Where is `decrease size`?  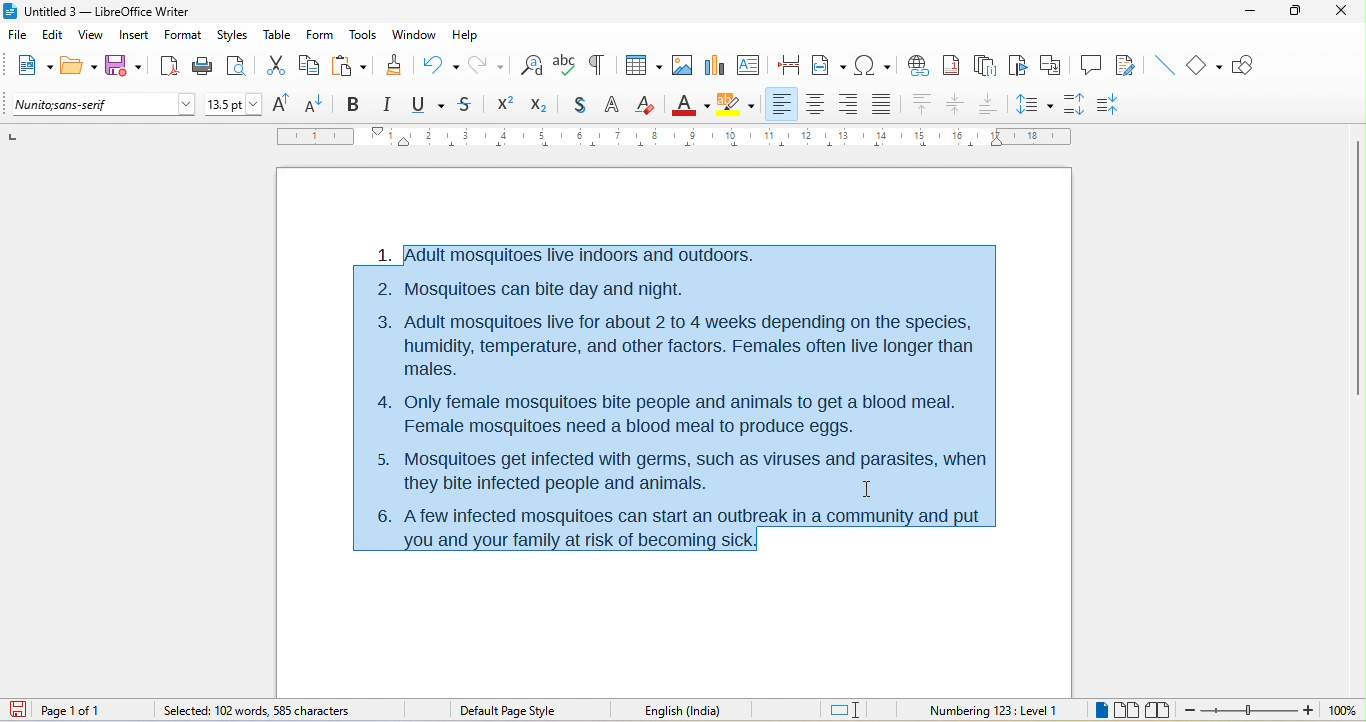
decrease size is located at coordinates (319, 103).